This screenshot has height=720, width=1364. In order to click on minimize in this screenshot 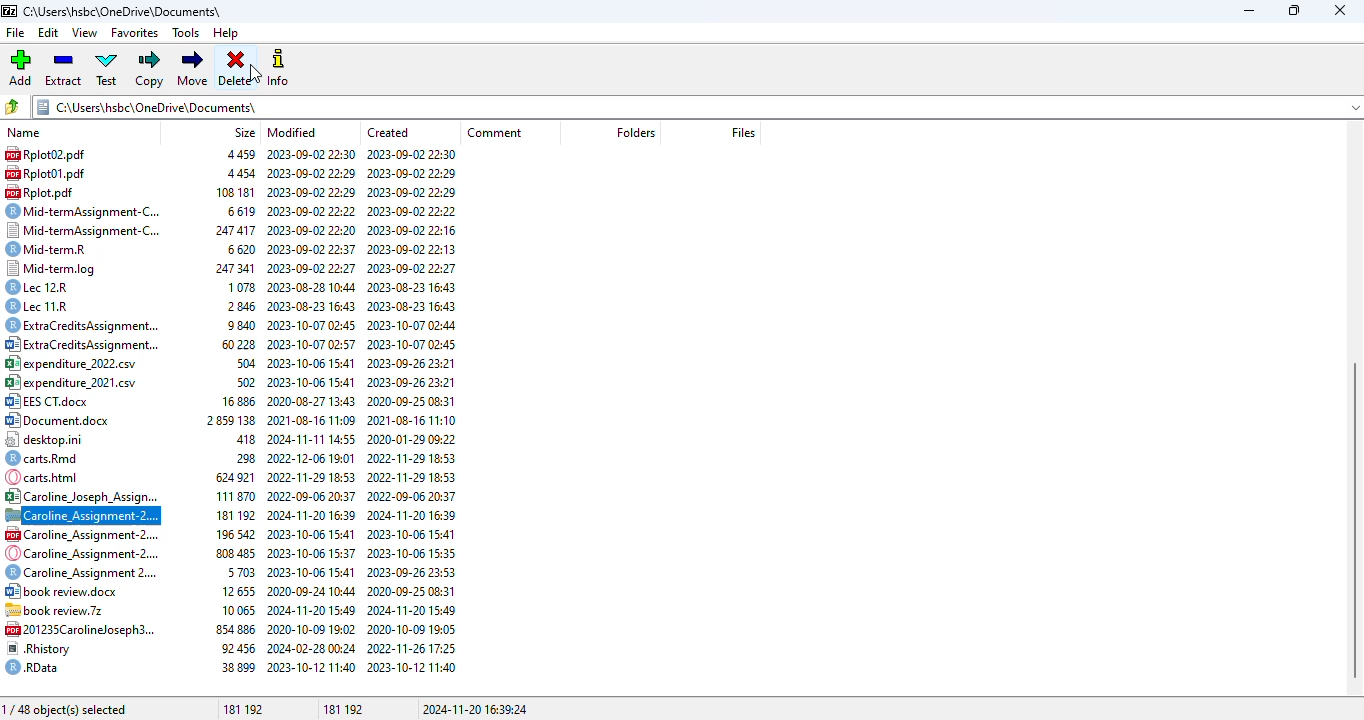, I will do `click(1250, 10)`.